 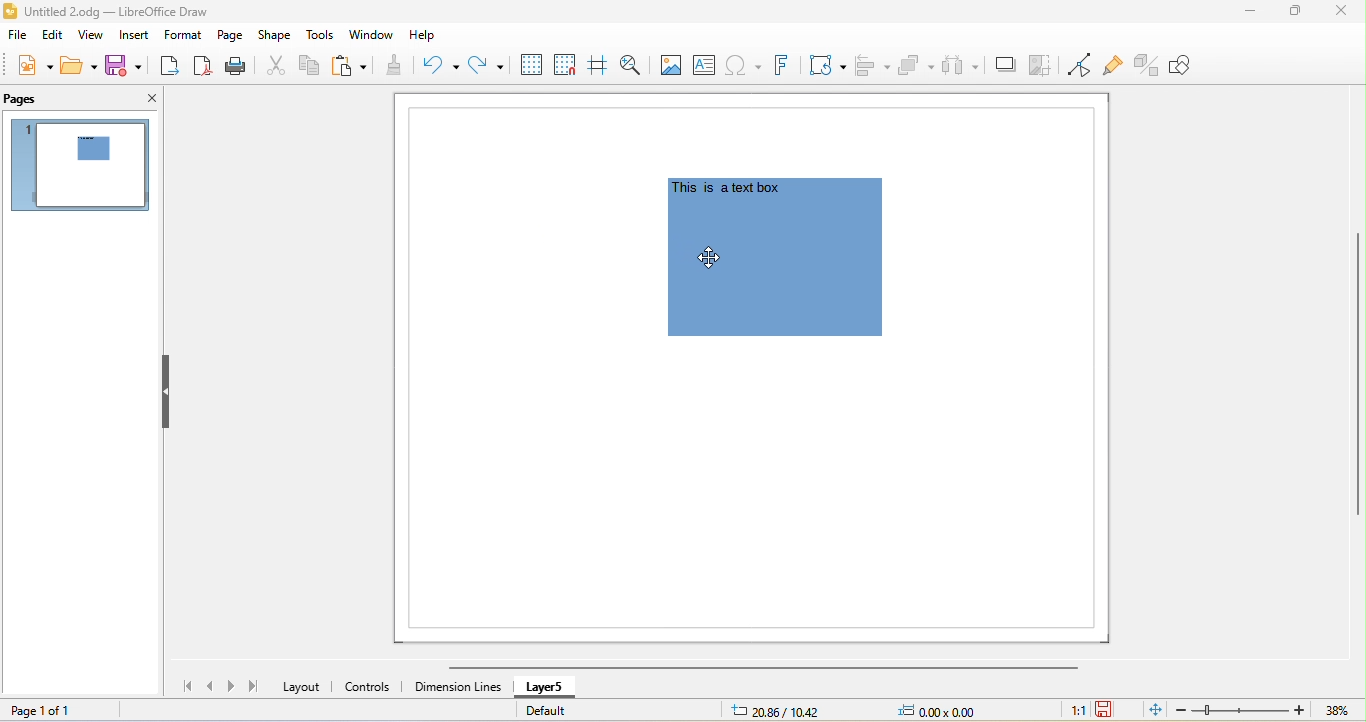 What do you see at coordinates (1296, 12) in the screenshot?
I see `maximize` at bounding box center [1296, 12].